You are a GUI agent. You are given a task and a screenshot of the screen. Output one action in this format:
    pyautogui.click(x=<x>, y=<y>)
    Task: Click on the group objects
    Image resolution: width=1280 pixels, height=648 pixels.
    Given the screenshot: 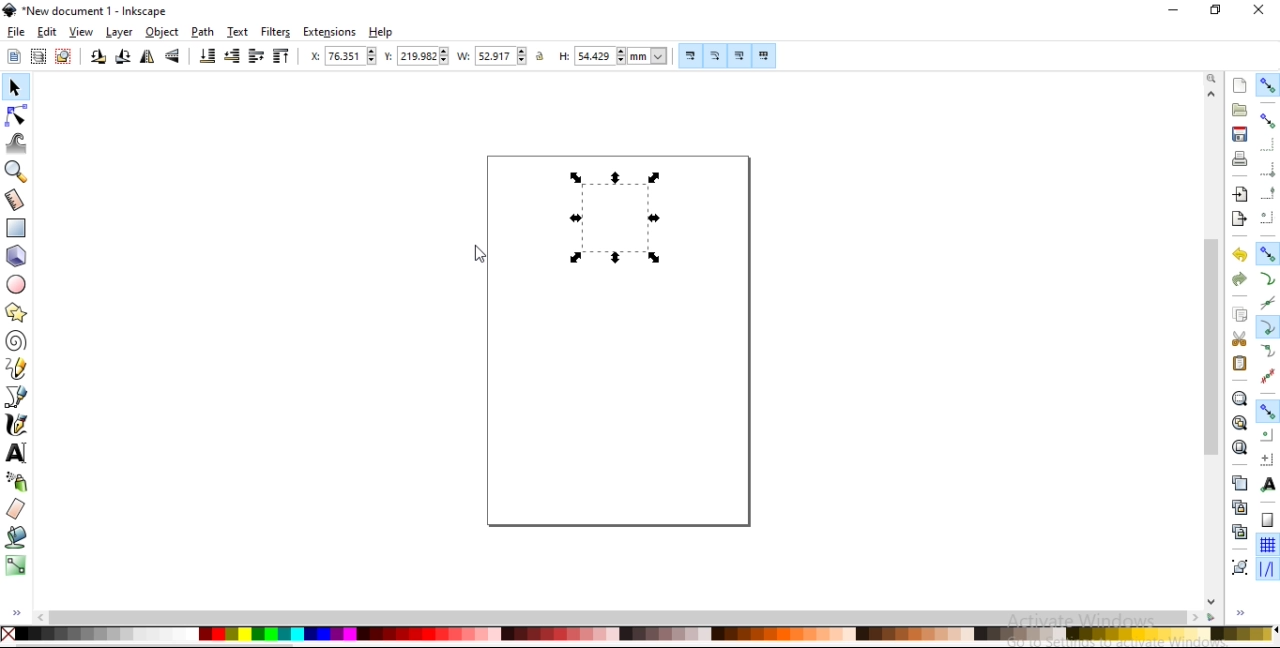 What is the action you would take?
    pyautogui.click(x=1238, y=567)
    